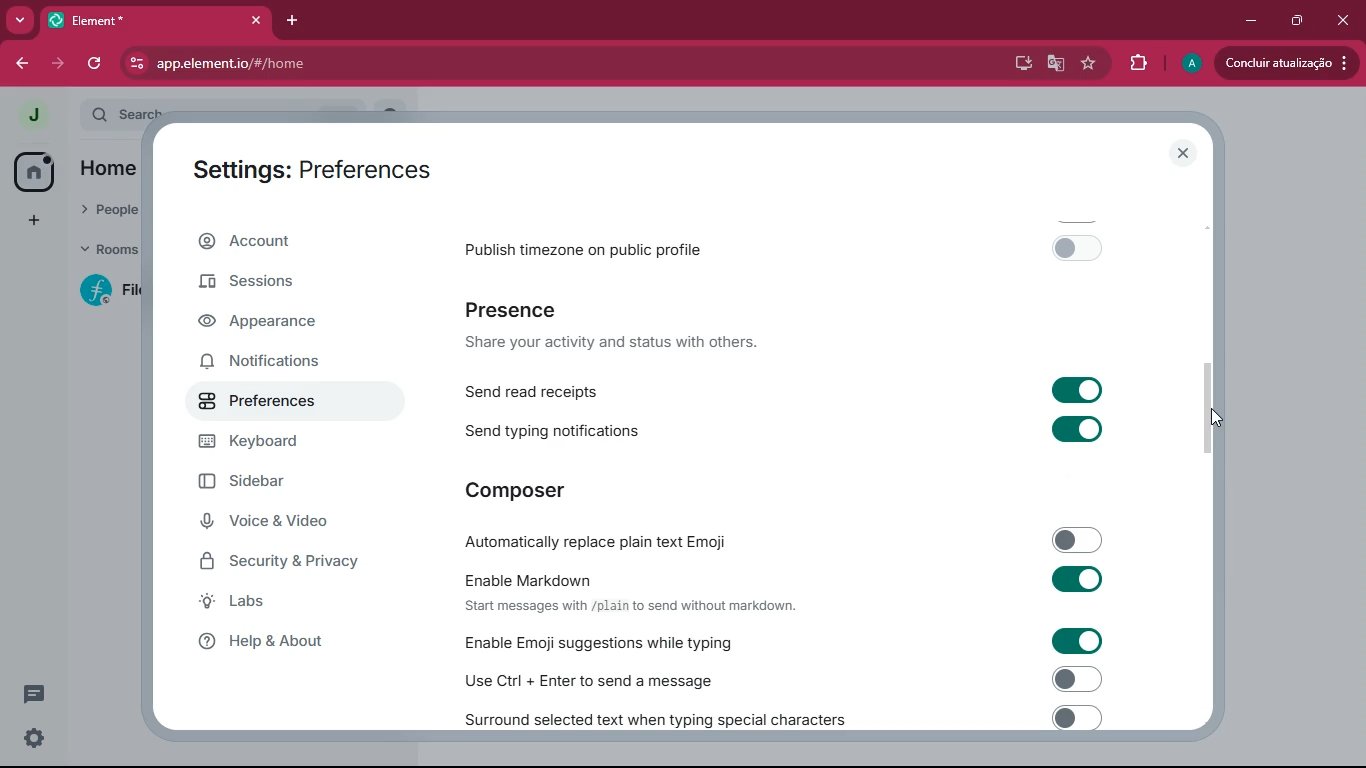  What do you see at coordinates (30, 694) in the screenshot?
I see `comments` at bounding box center [30, 694].